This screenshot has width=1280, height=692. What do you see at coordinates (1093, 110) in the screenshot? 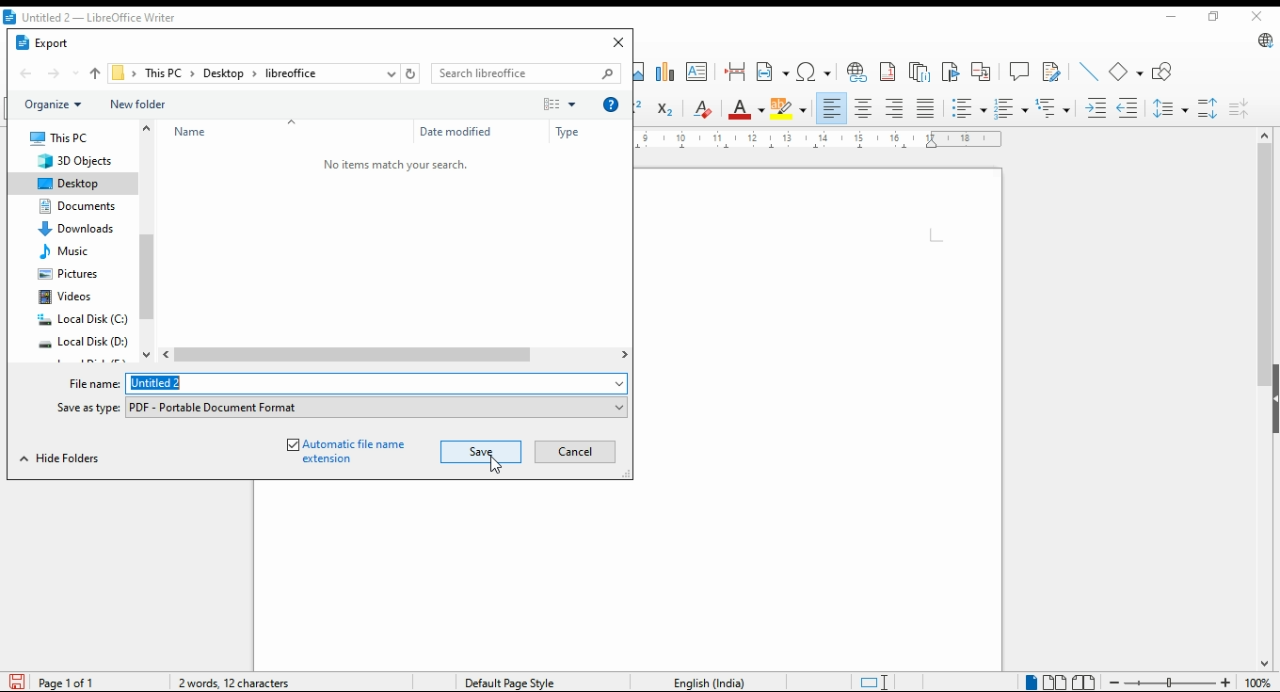
I see `increase indent` at bounding box center [1093, 110].